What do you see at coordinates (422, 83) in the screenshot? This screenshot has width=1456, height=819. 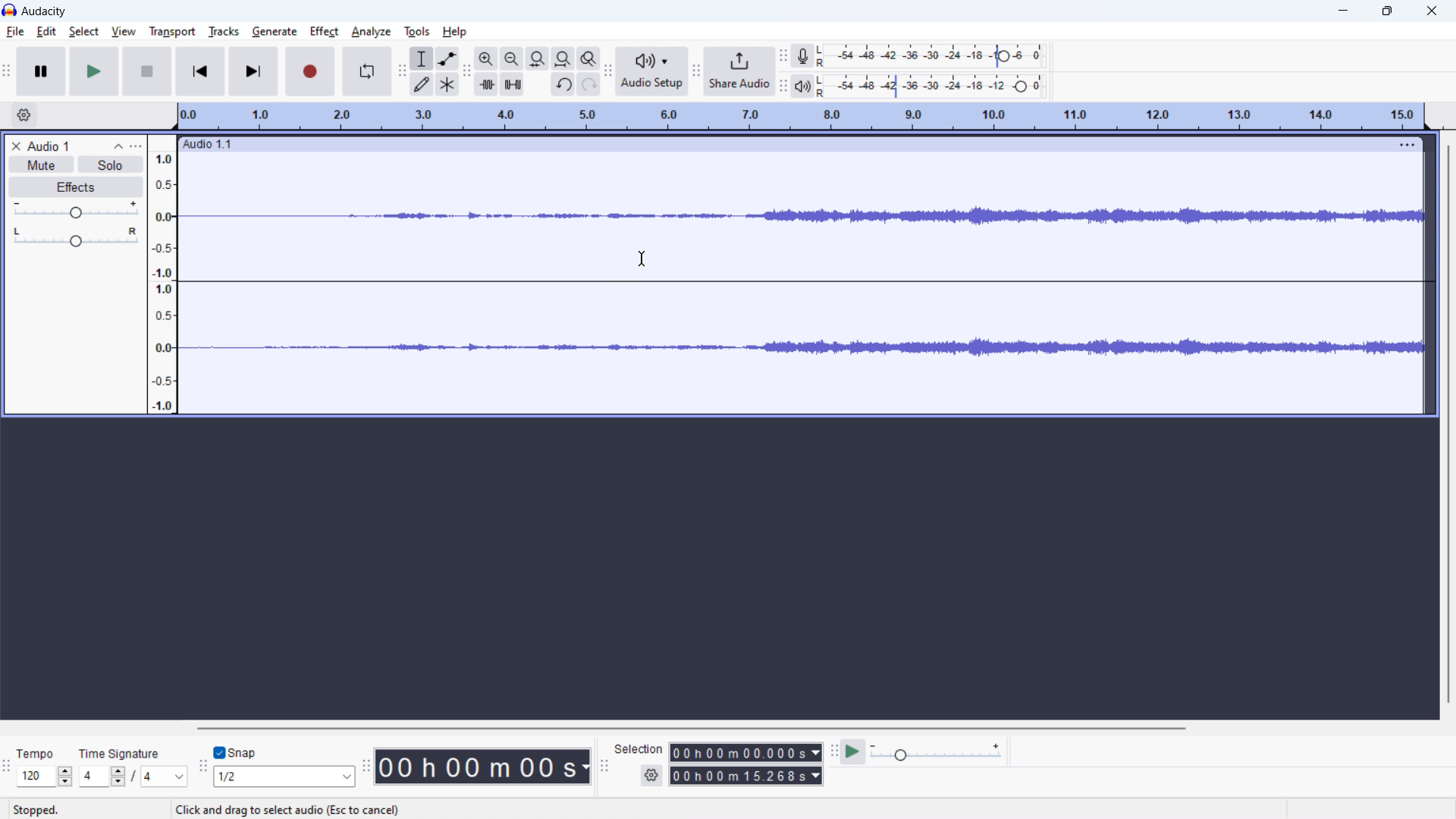 I see `draw tool` at bounding box center [422, 83].